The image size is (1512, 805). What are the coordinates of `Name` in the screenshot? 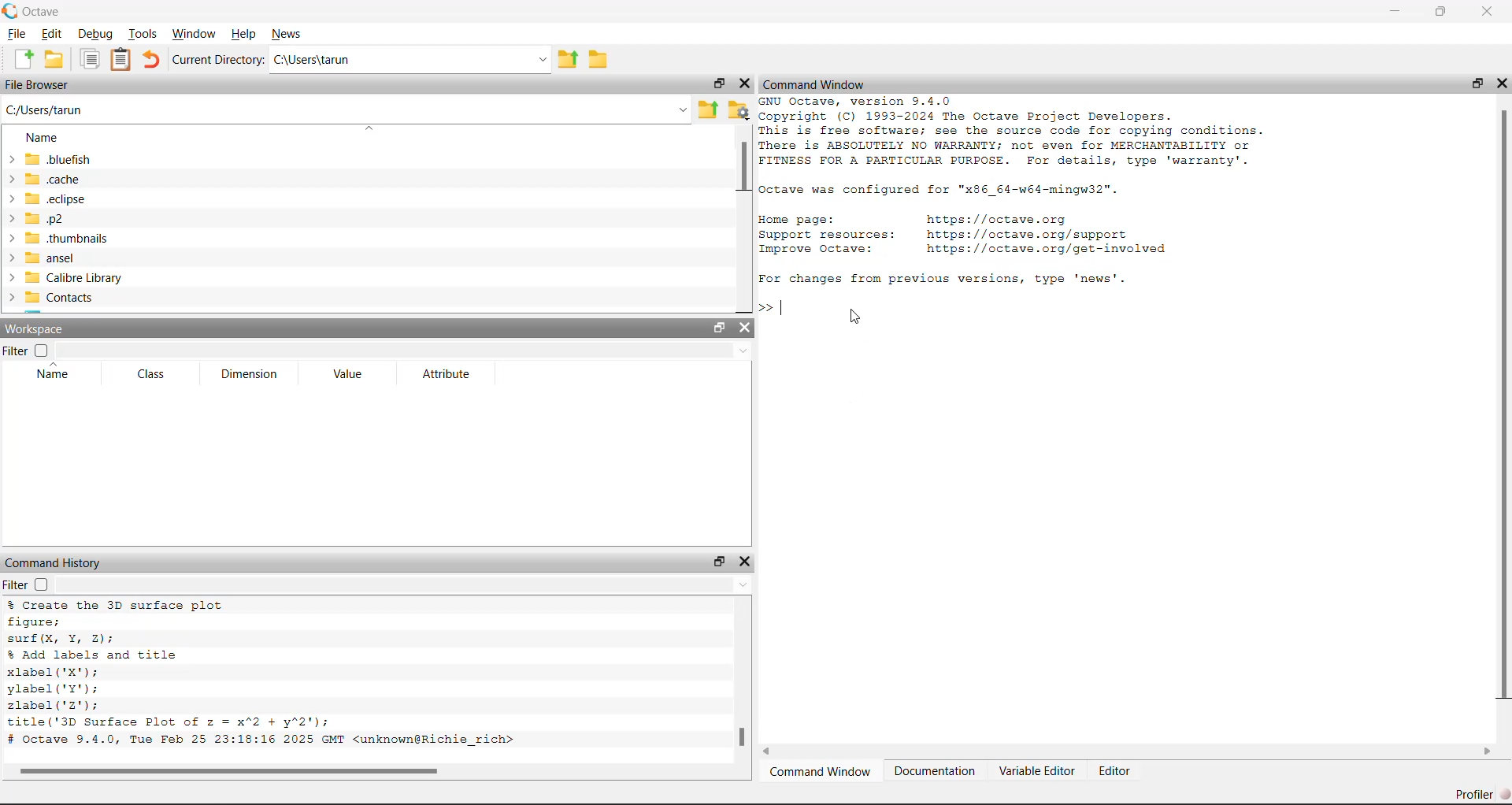 It's located at (53, 373).